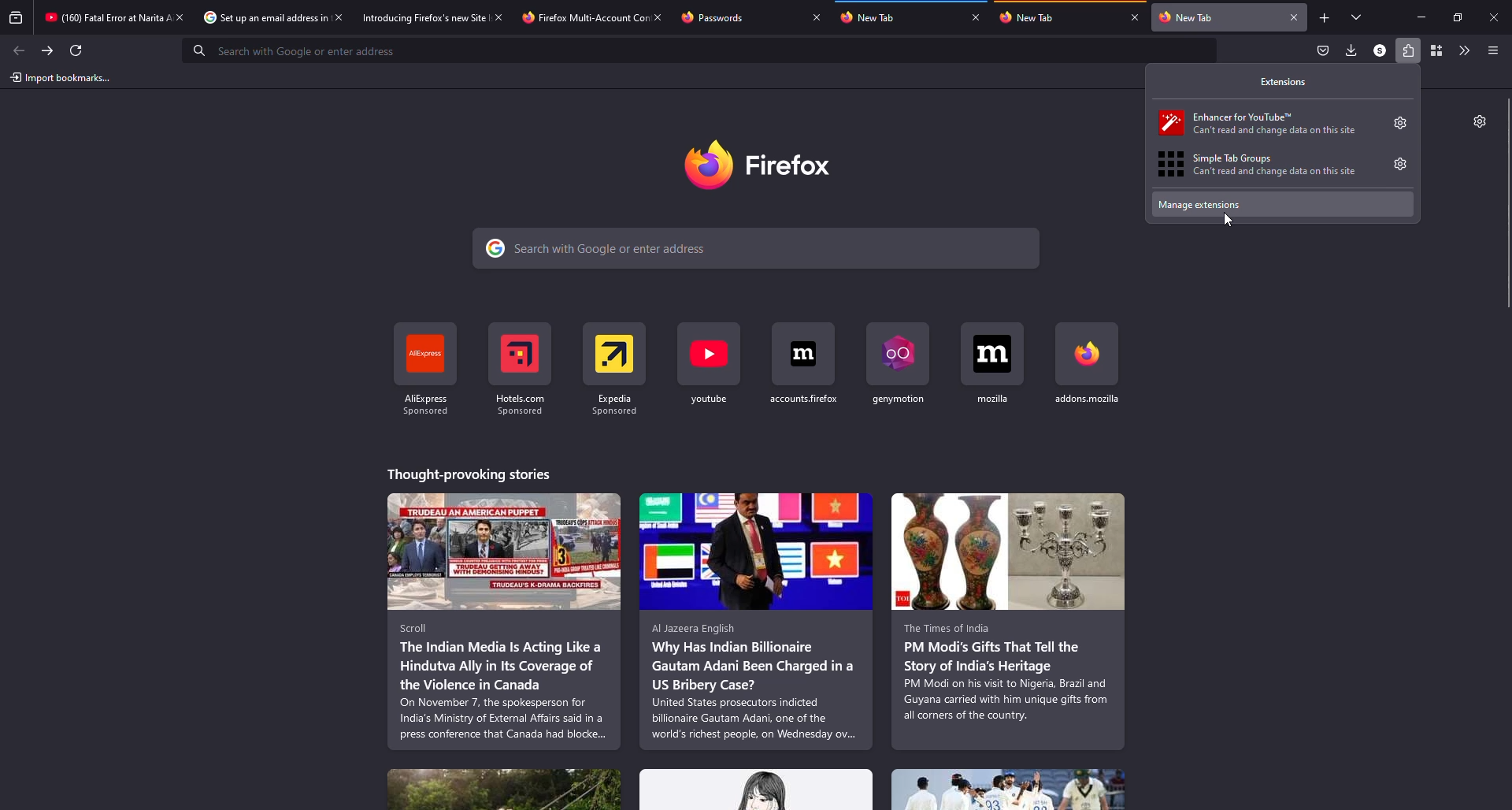 The height and width of the screenshot is (810, 1512). Describe the element at coordinates (1380, 50) in the screenshot. I see `profile` at that location.